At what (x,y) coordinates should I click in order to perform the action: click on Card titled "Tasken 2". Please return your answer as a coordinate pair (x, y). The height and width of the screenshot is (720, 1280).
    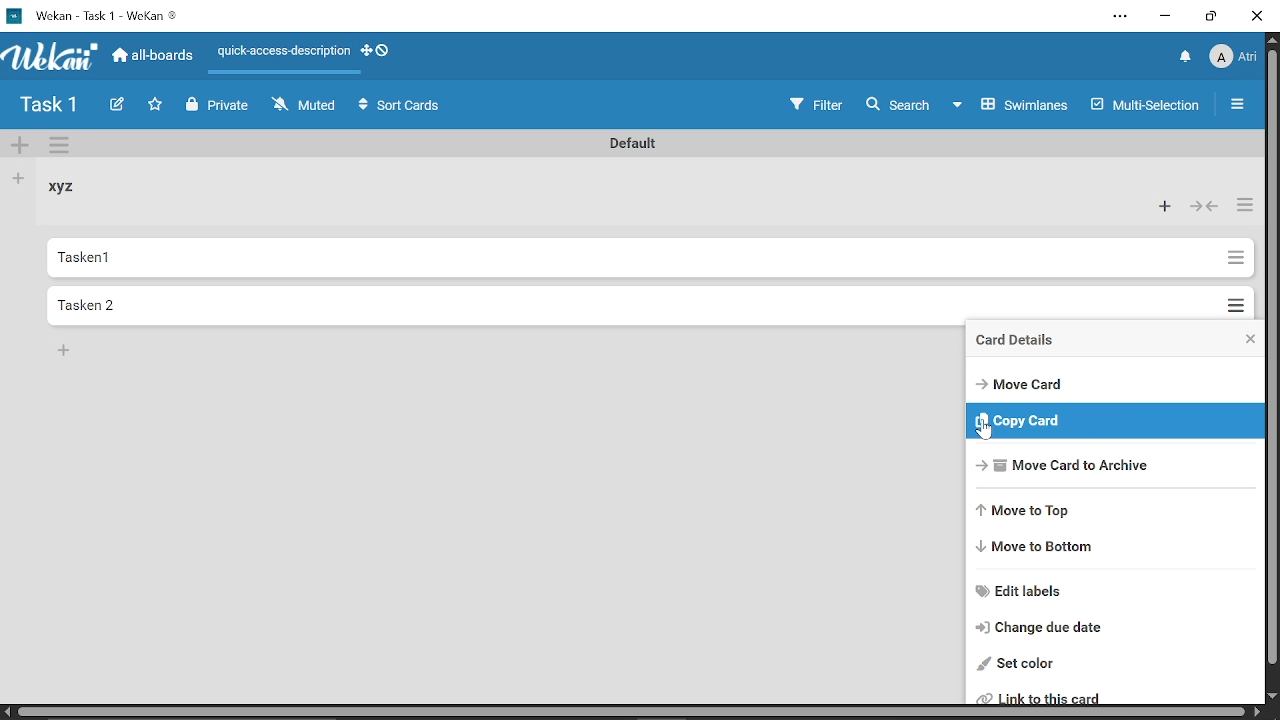
    Looking at the image, I should click on (623, 304).